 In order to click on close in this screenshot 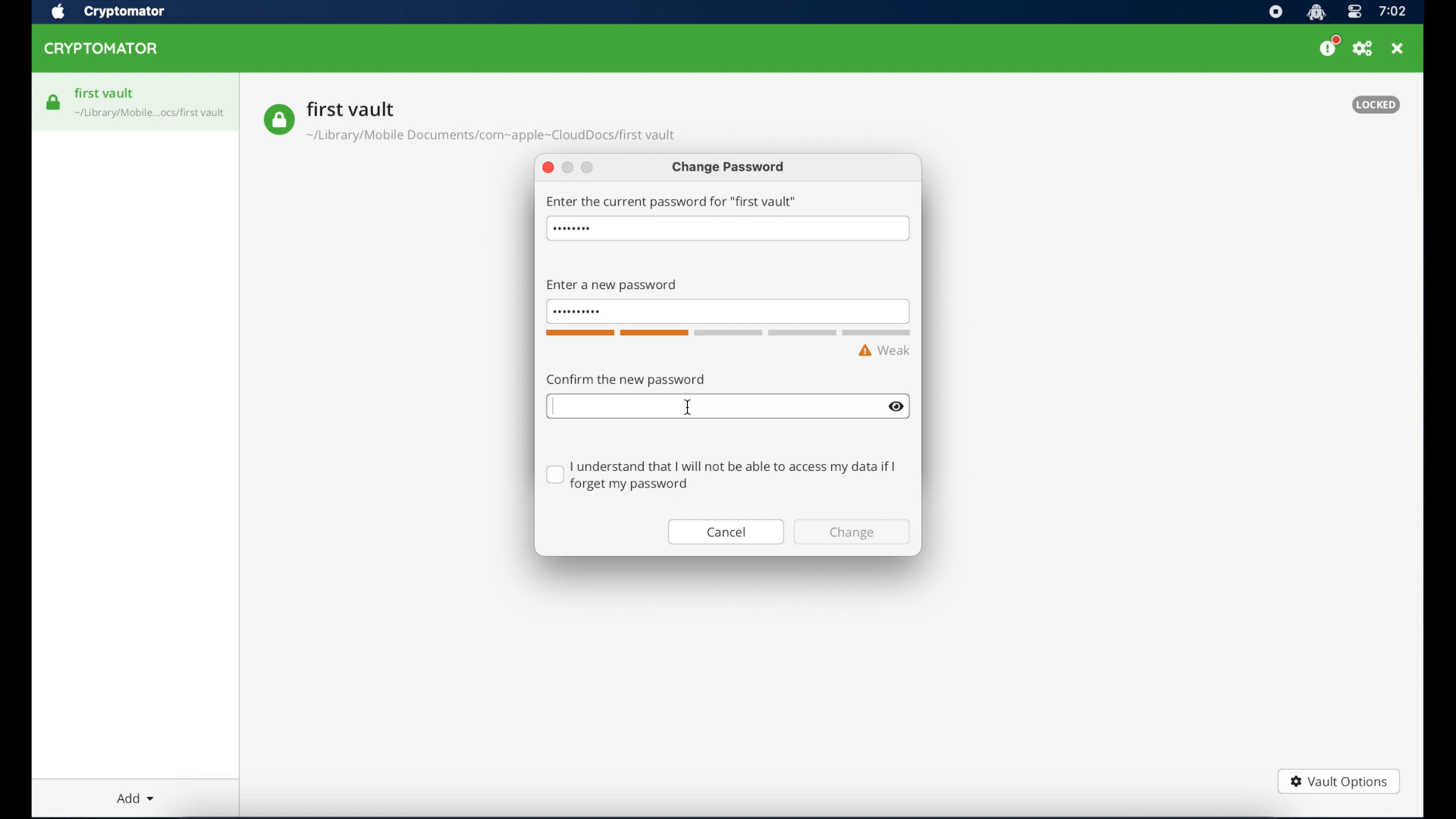, I will do `click(548, 168)`.